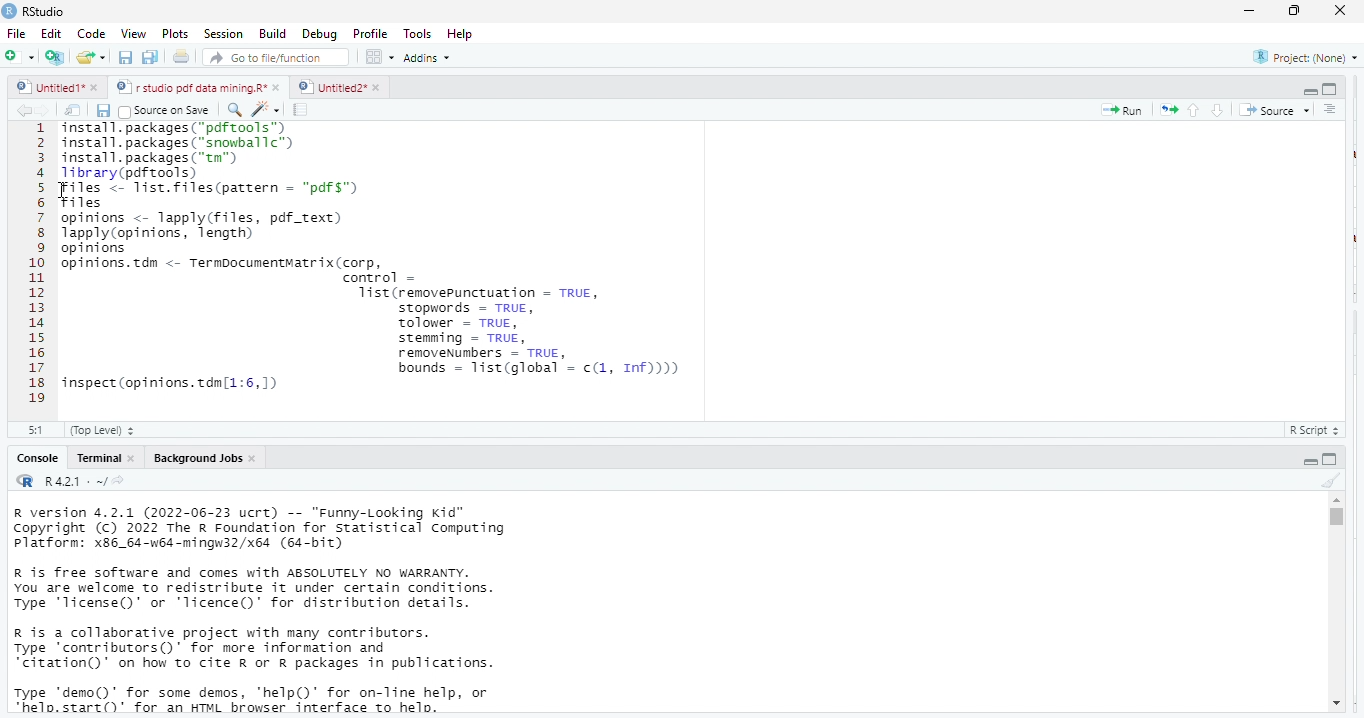 This screenshot has width=1364, height=718. Describe the element at coordinates (48, 88) in the screenshot. I see `untitled1` at that location.